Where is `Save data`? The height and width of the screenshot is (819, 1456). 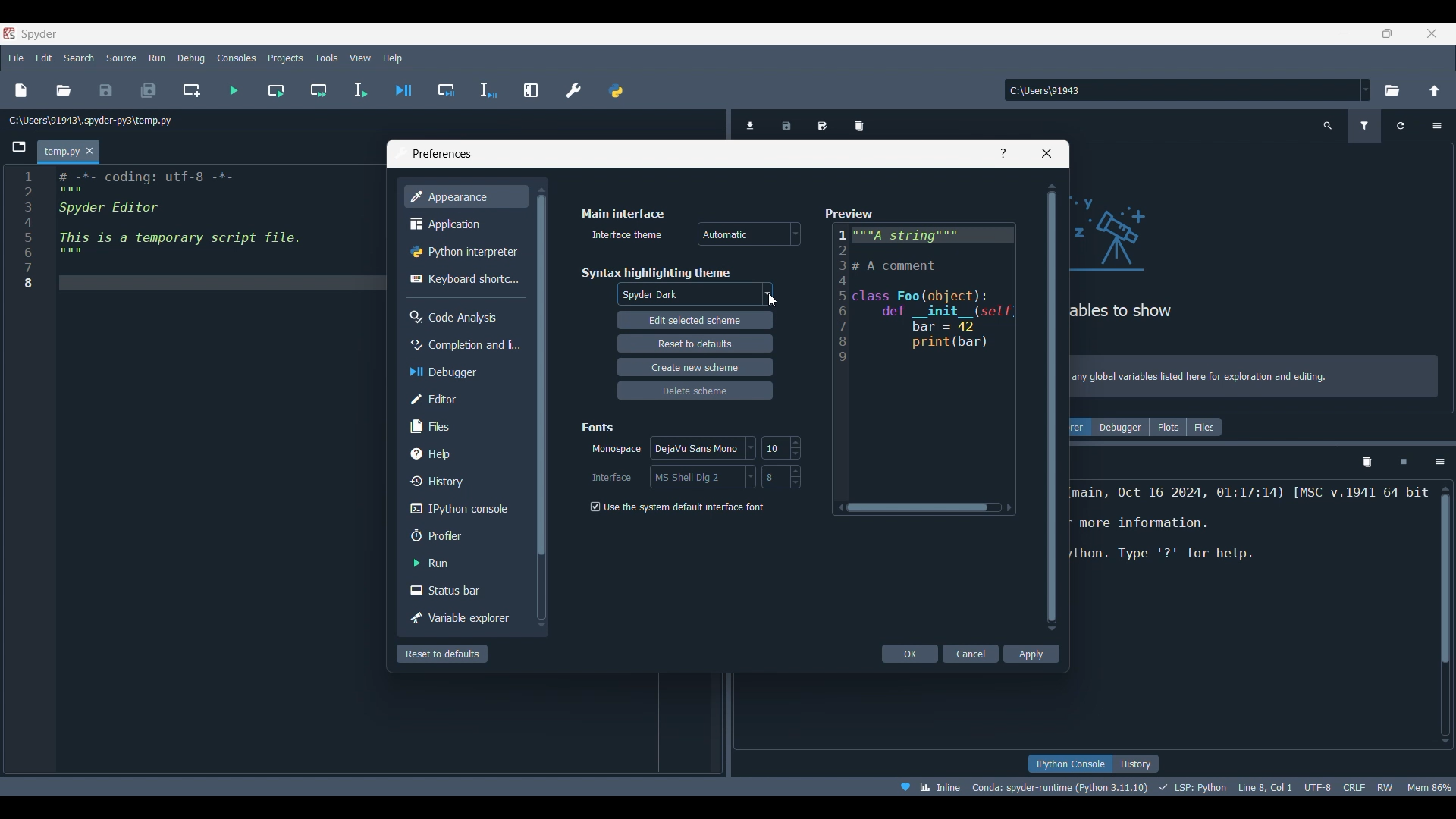 Save data is located at coordinates (787, 123).